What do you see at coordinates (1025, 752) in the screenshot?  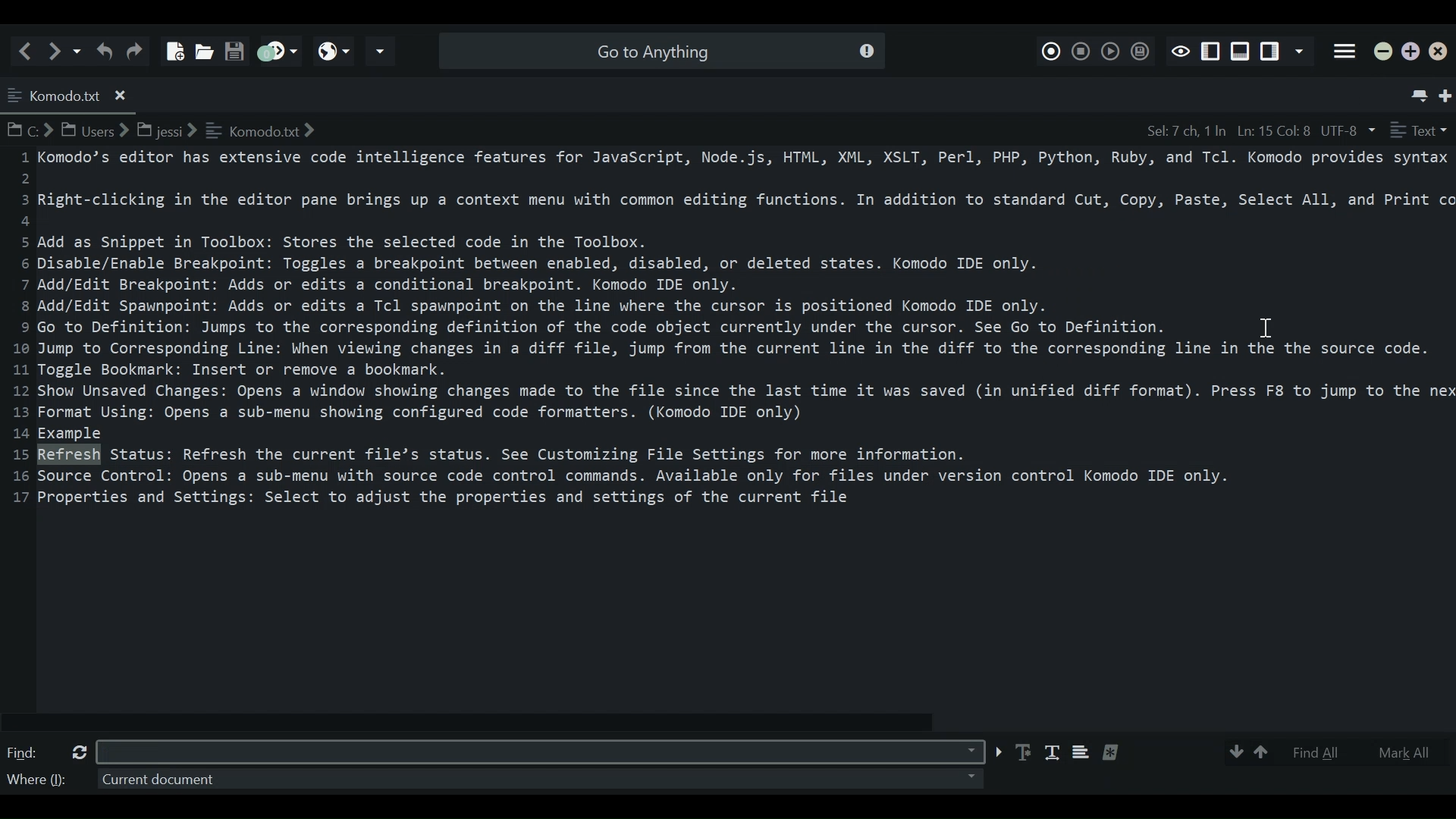 I see `Match Case` at bounding box center [1025, 752].